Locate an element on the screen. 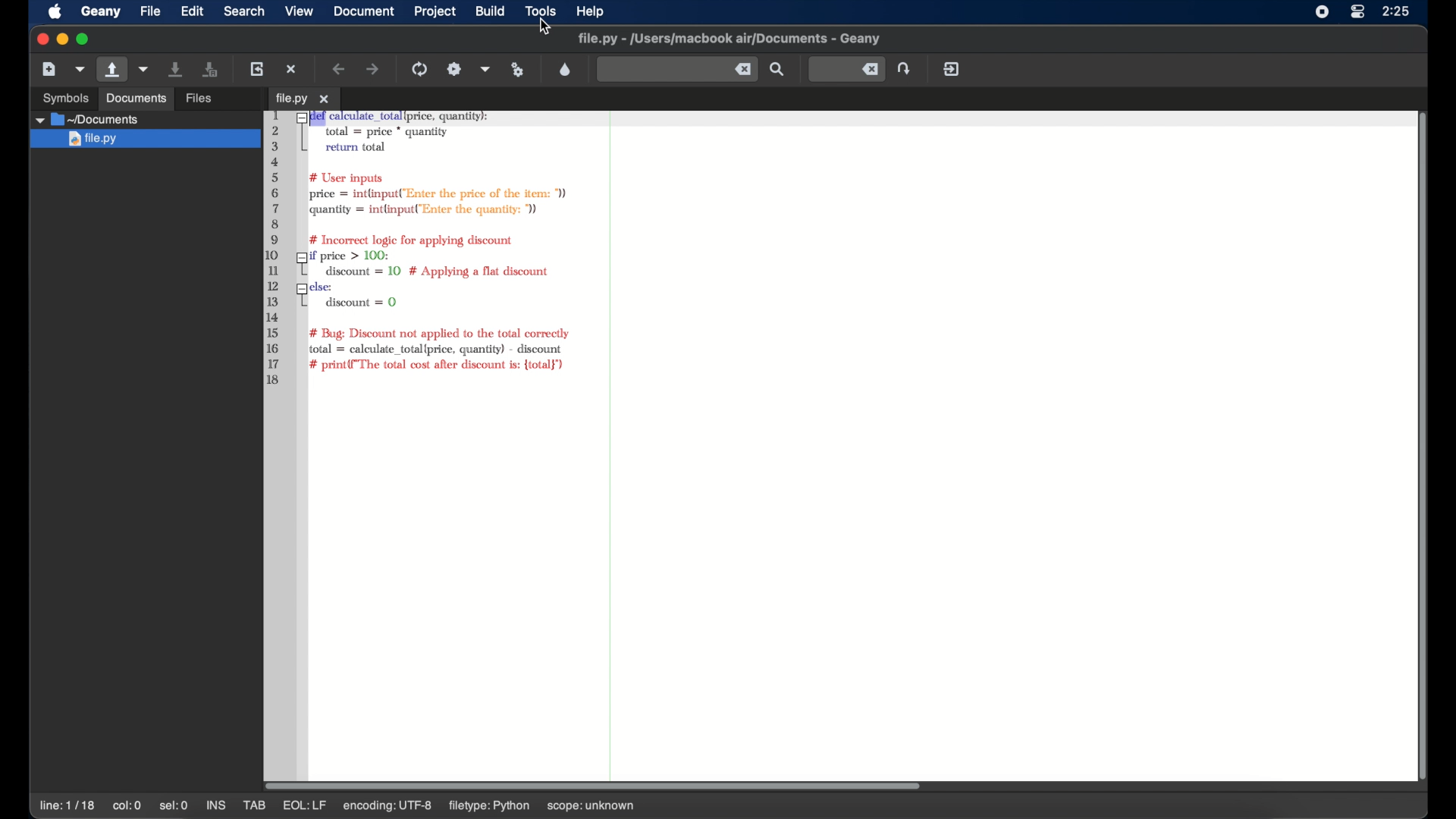 Image resolution: width=1456 pixels, height=819 pixels. sel:0 is located at coordinates (174, 805).